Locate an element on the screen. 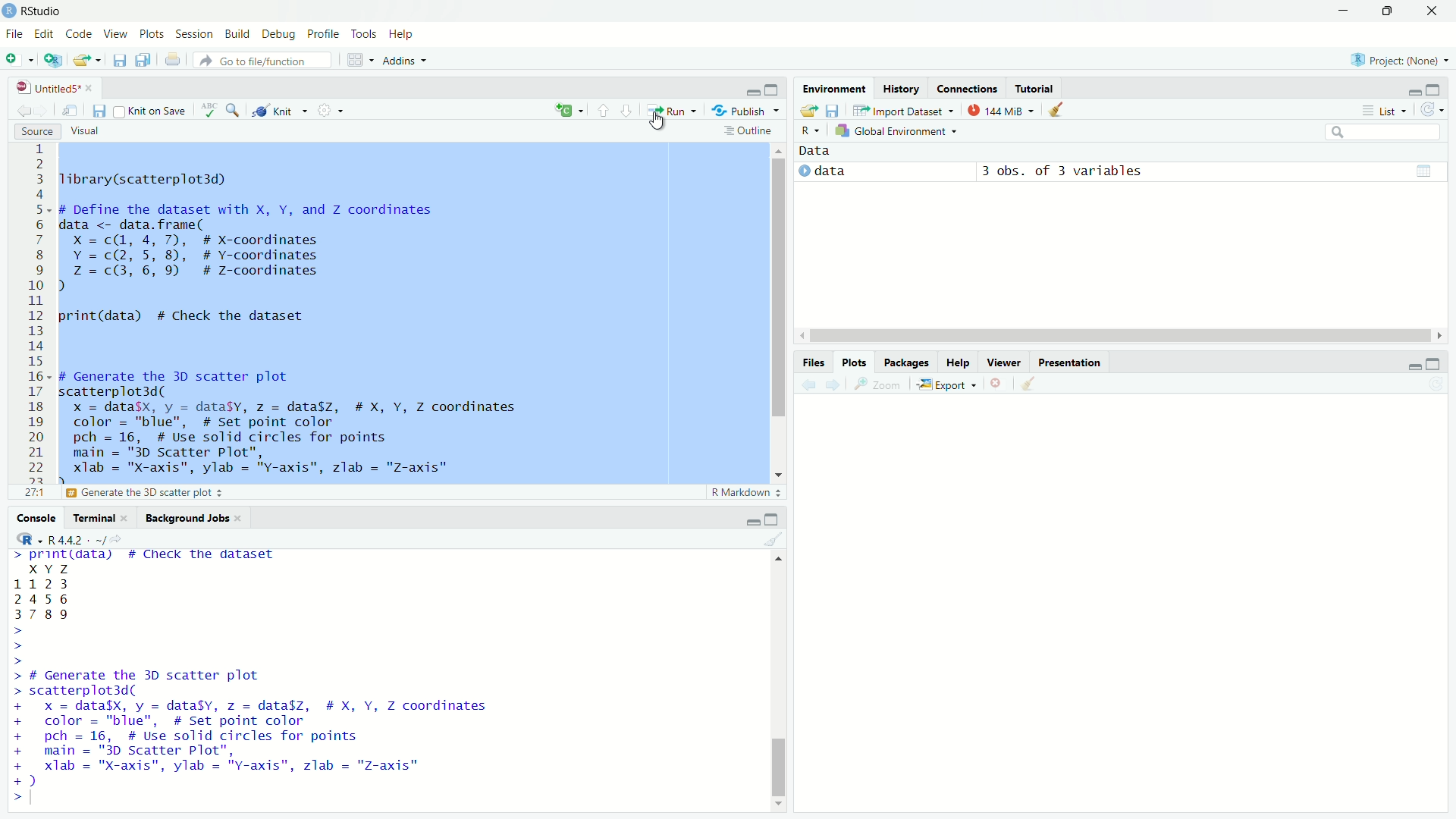 This screenshot has height=819, width=1456. data is located at coordinates (817, 151).